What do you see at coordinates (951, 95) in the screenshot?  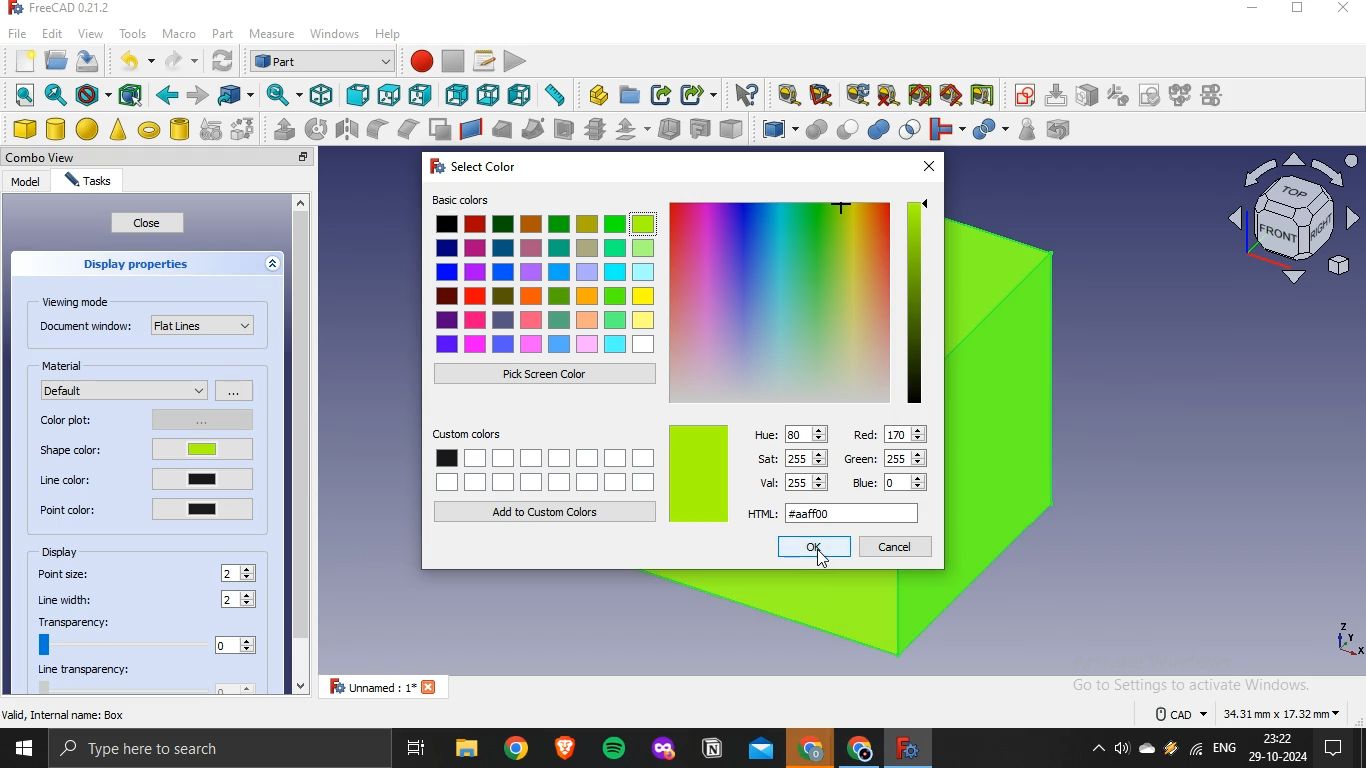 I see `toggle 3d` at bounding box center [951, 95].